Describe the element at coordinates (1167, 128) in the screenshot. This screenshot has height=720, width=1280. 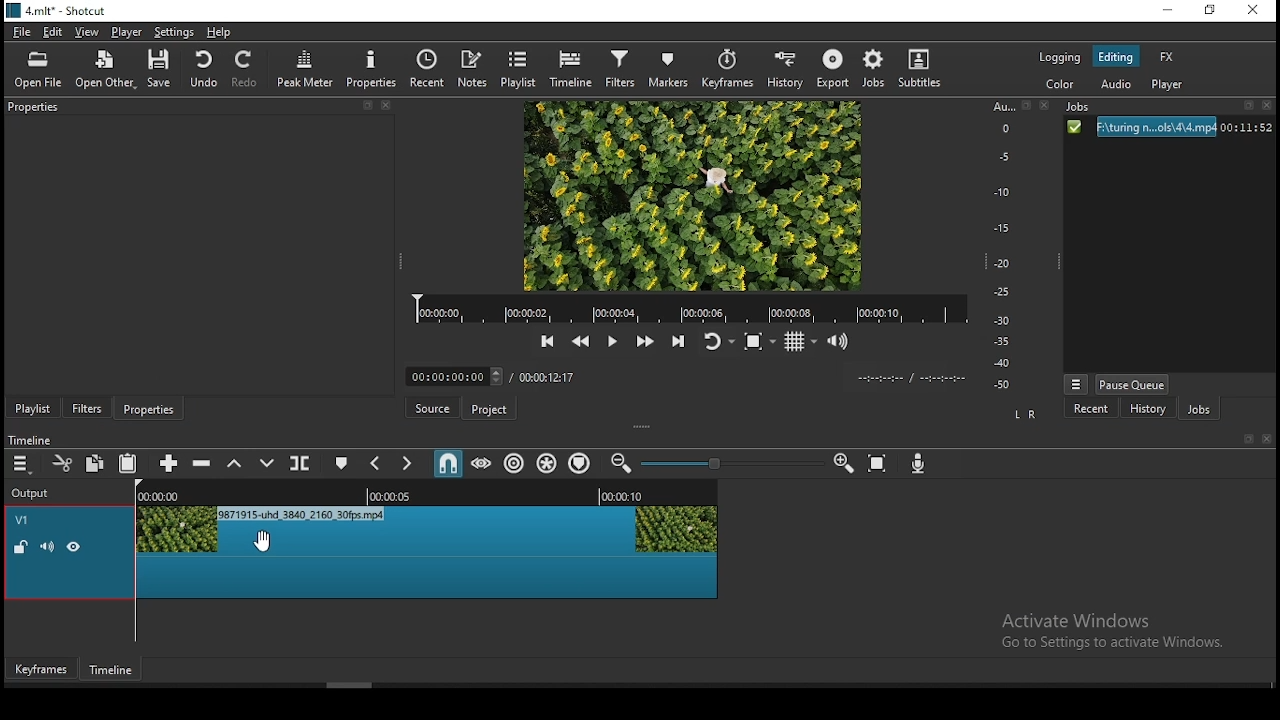
I see `File` at that location.